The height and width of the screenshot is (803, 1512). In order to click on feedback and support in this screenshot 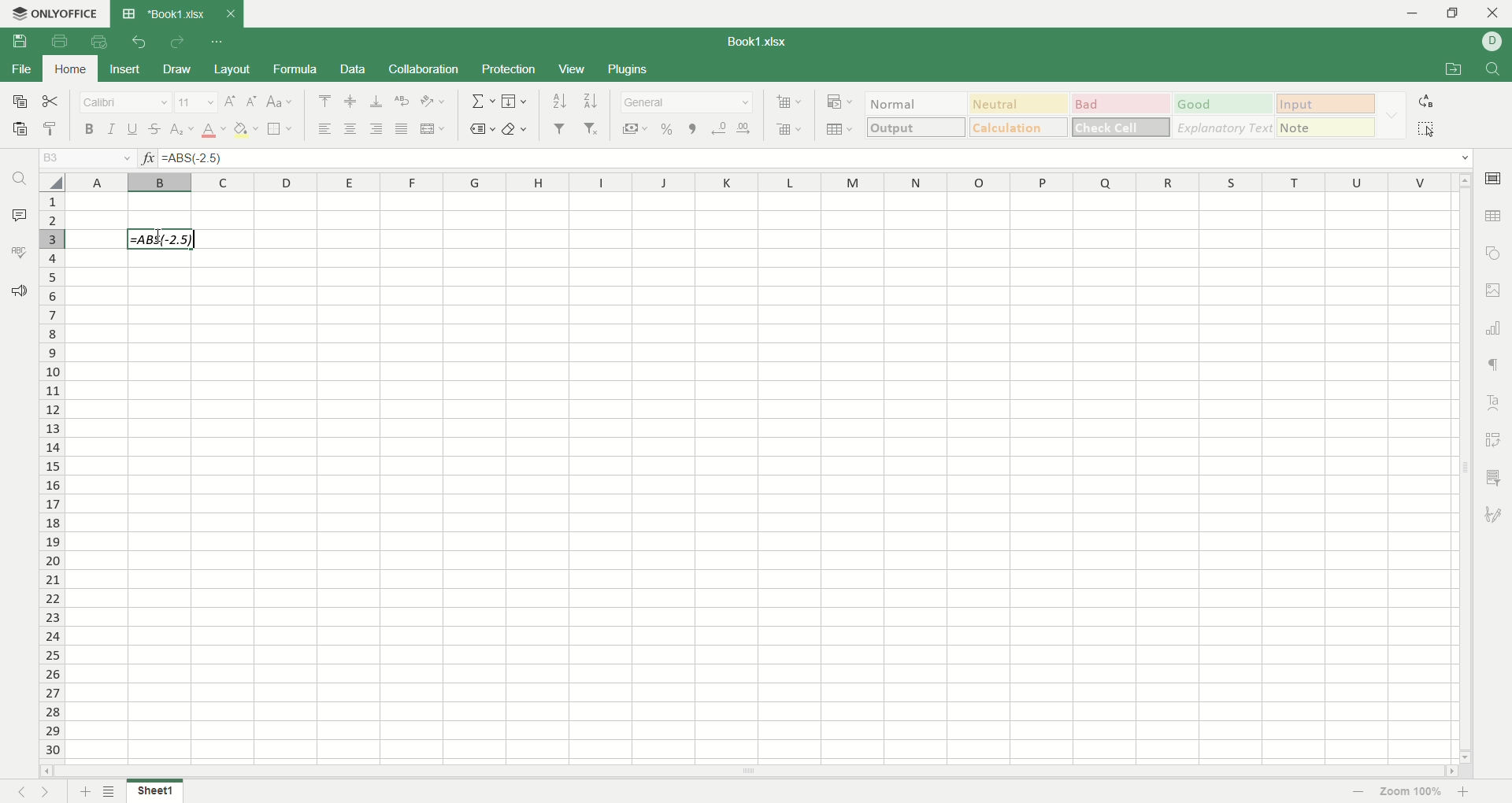, I will do `click(18, 292)`.